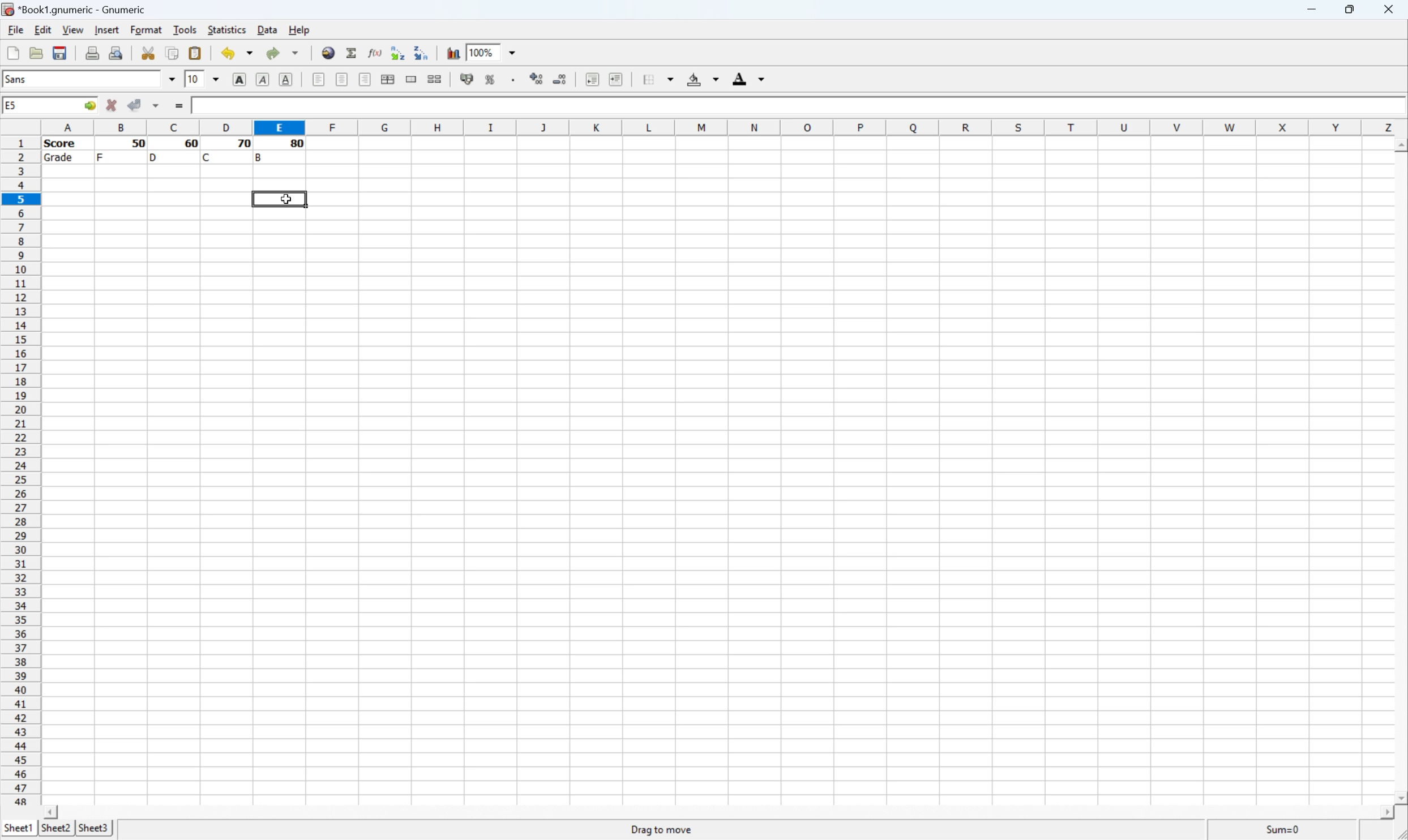  What do you see at coordinates (483, 52) in the screenshot?
I see `100%` at bounding box center [483, 52].